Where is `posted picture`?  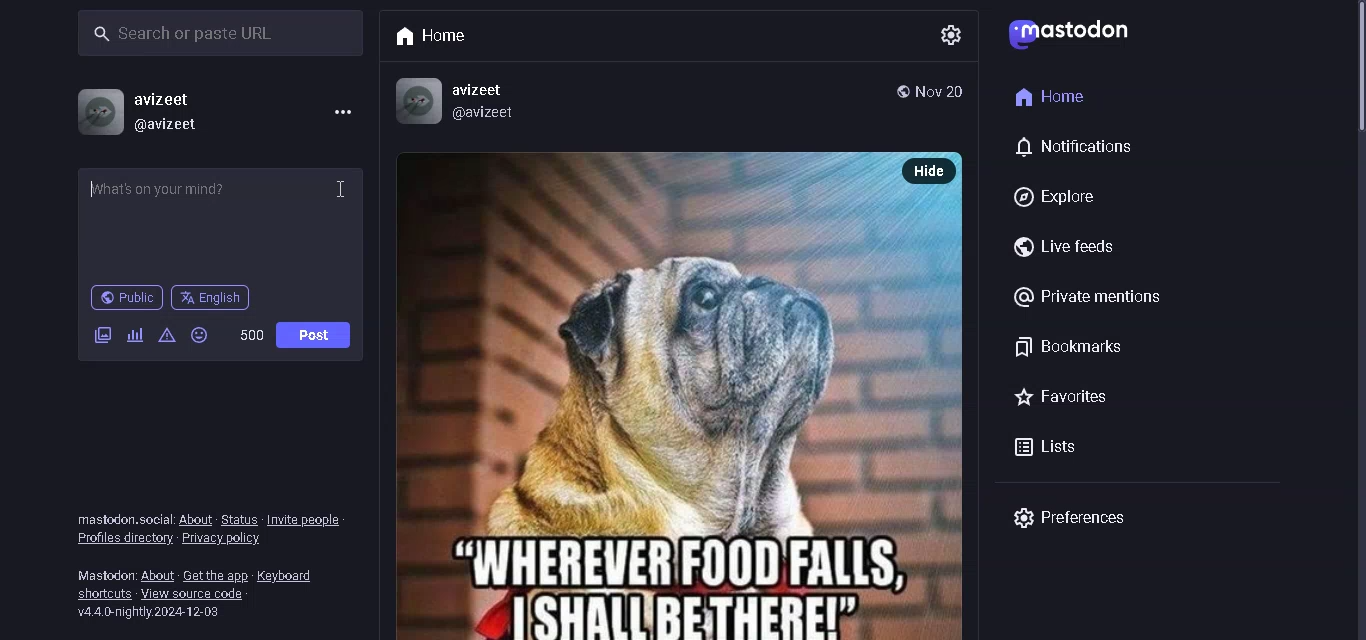
posted picture is located at coordinates (645, 395).